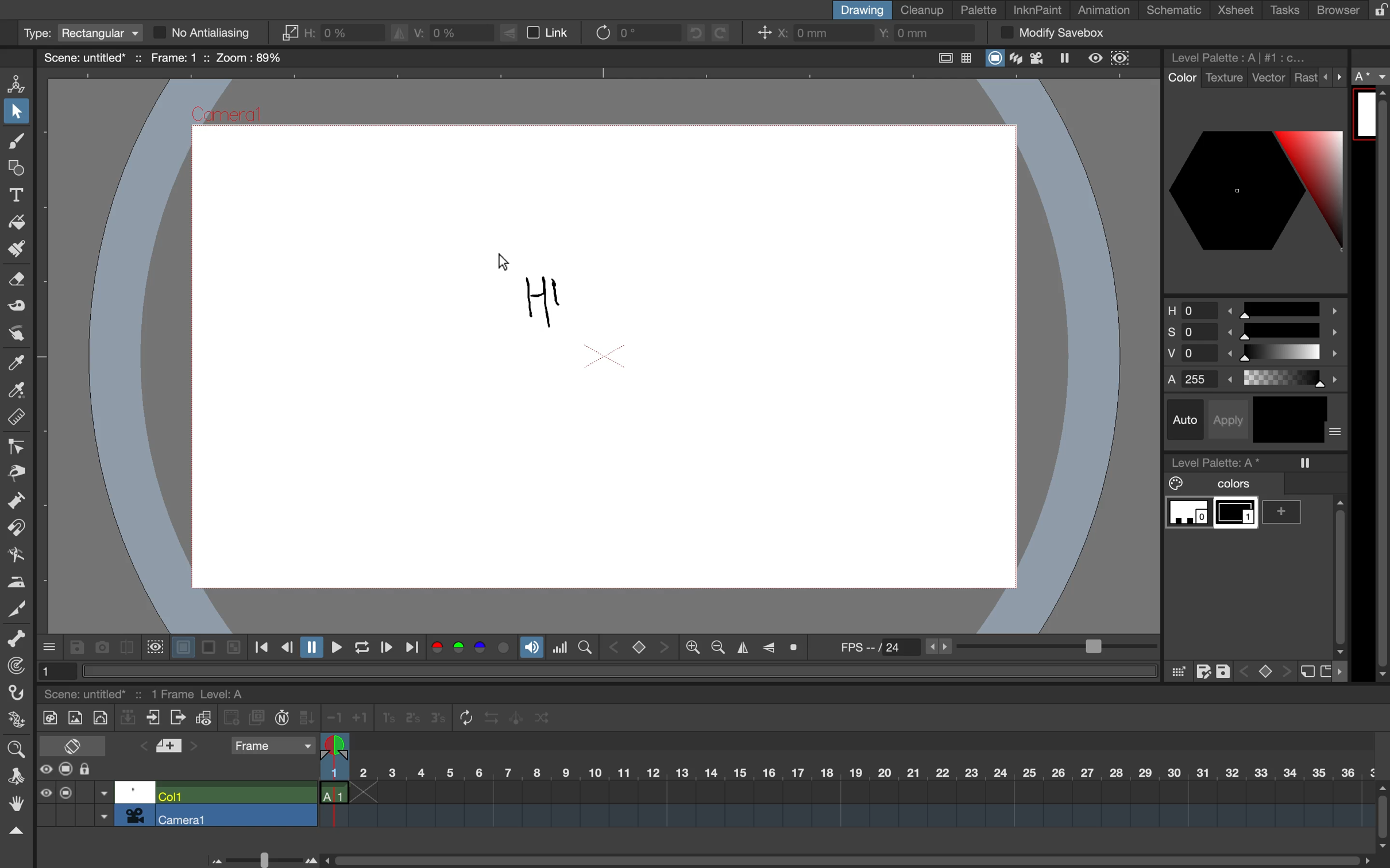 This screenshot has height=868, width=1390. What do you see at coordinates (1253, 308) in the screenshot?
I see `hue` at bounding box center [1253, 308].